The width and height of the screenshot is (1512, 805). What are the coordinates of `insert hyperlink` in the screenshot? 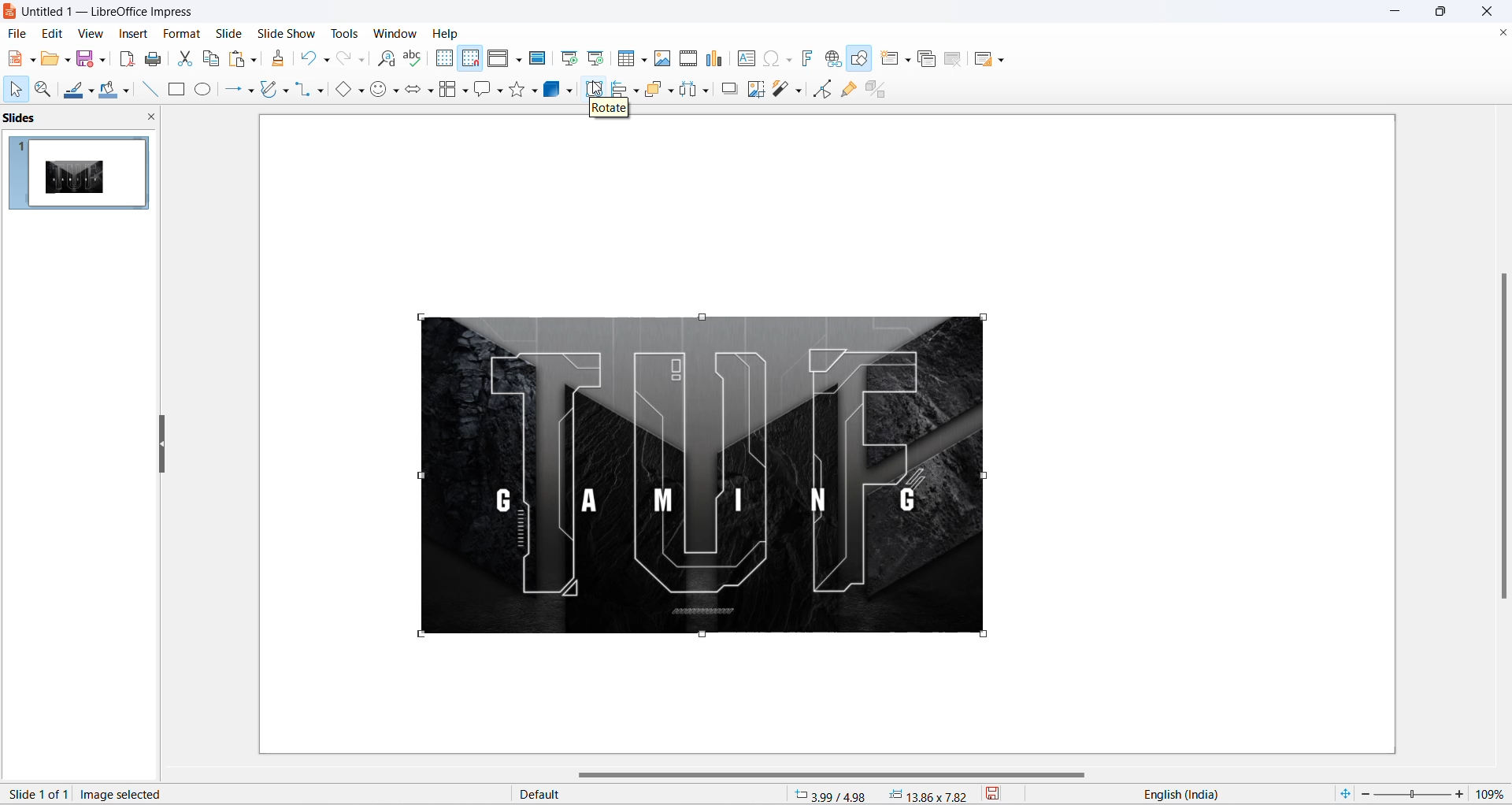 It's located at (835, 60).